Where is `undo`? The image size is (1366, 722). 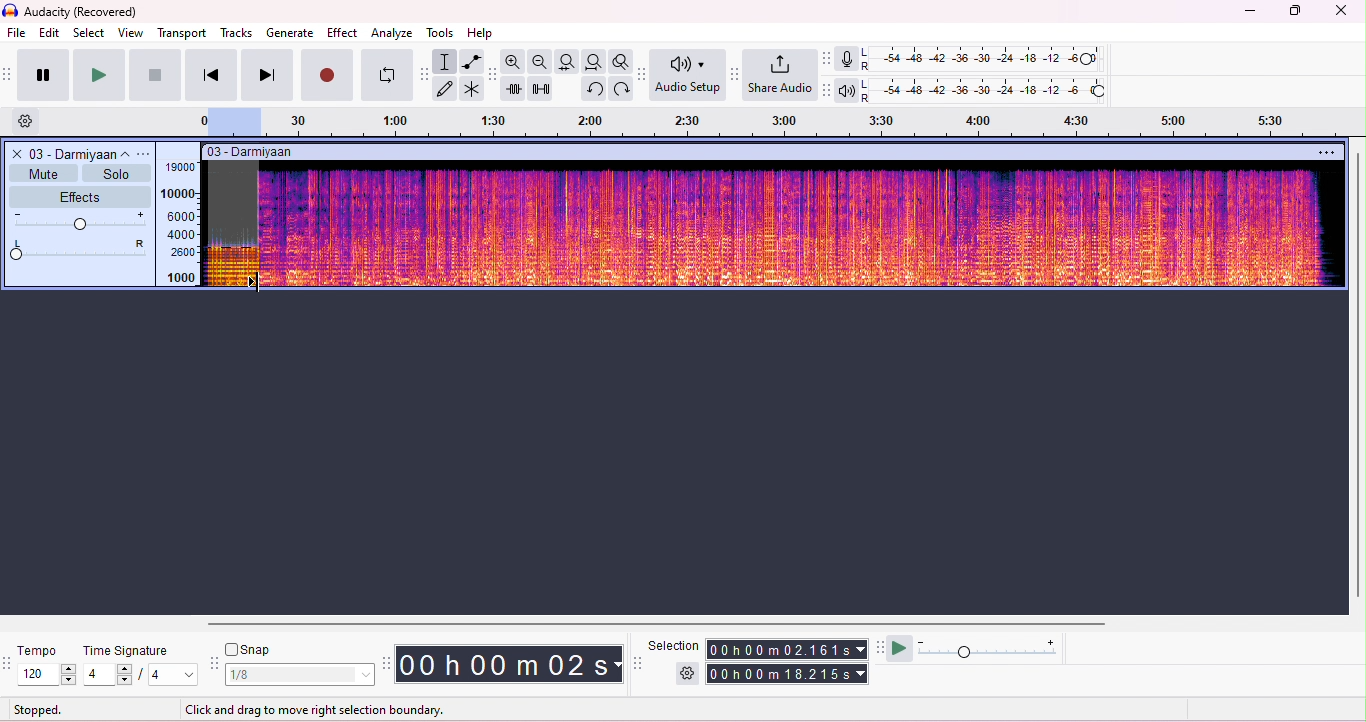 undo is located at coordinates (593, 88).